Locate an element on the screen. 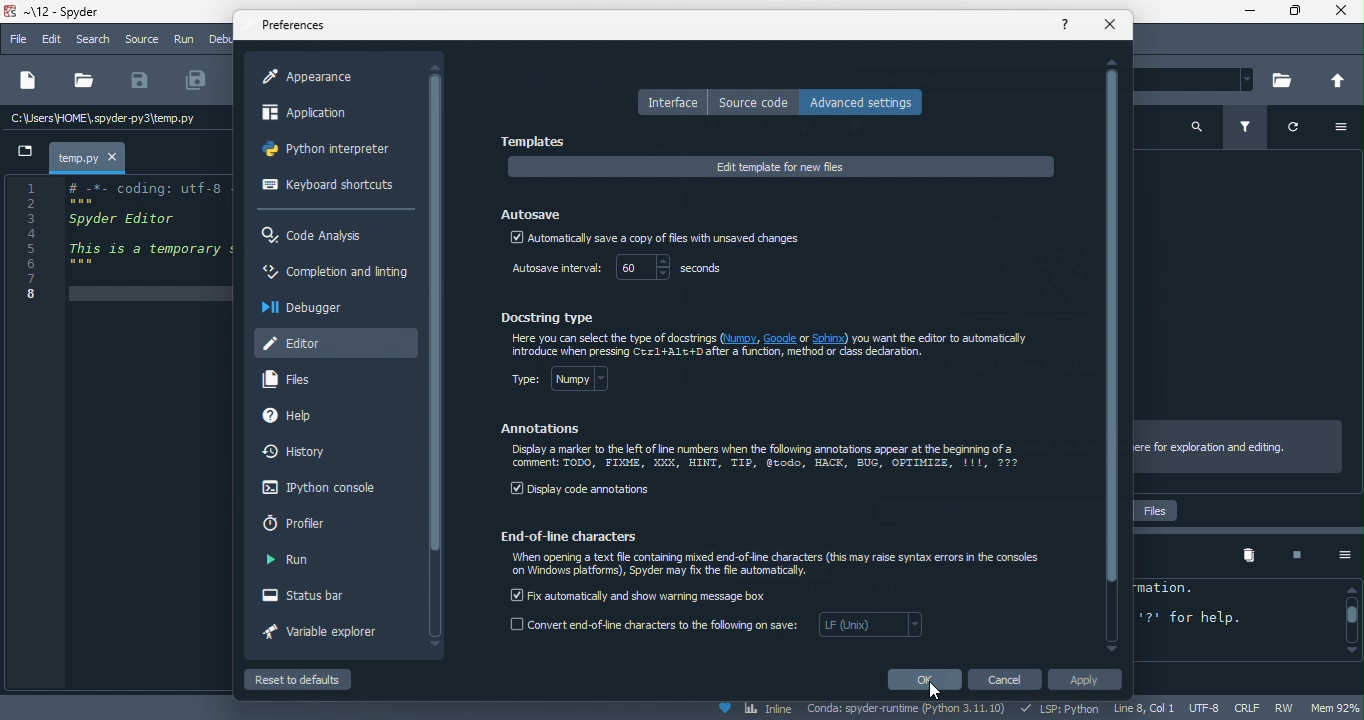  minimize is located at coordinates (1243, 13).